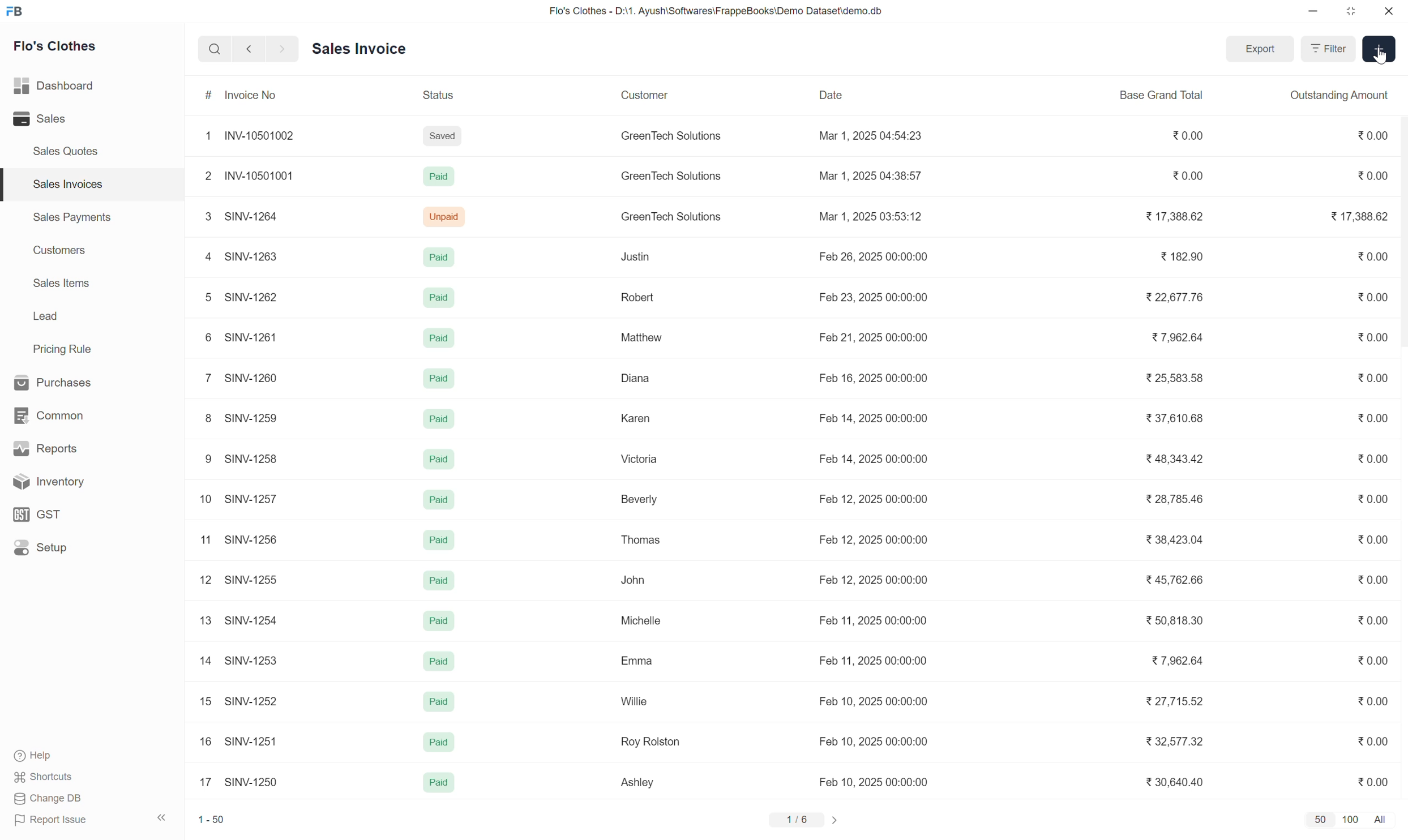 The image size is (1408, 840). What do you see at coordinates (204, 300) in the screenshot?
I see `5` at bounding box center [204, 300].